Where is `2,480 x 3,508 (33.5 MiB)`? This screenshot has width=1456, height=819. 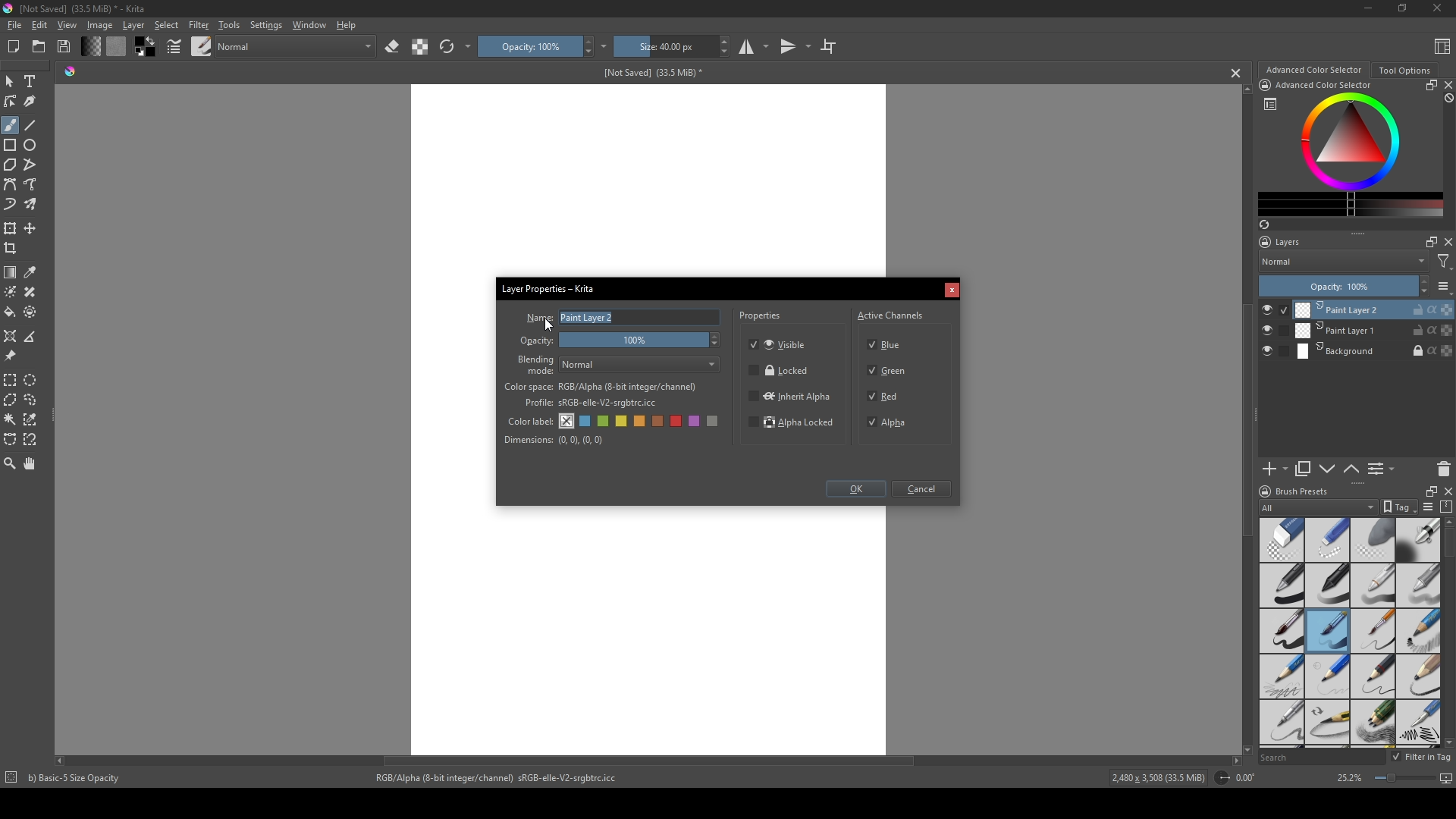
2,480 x 3,508 (33.5 MiB) is located at coordinates (1156, 780).